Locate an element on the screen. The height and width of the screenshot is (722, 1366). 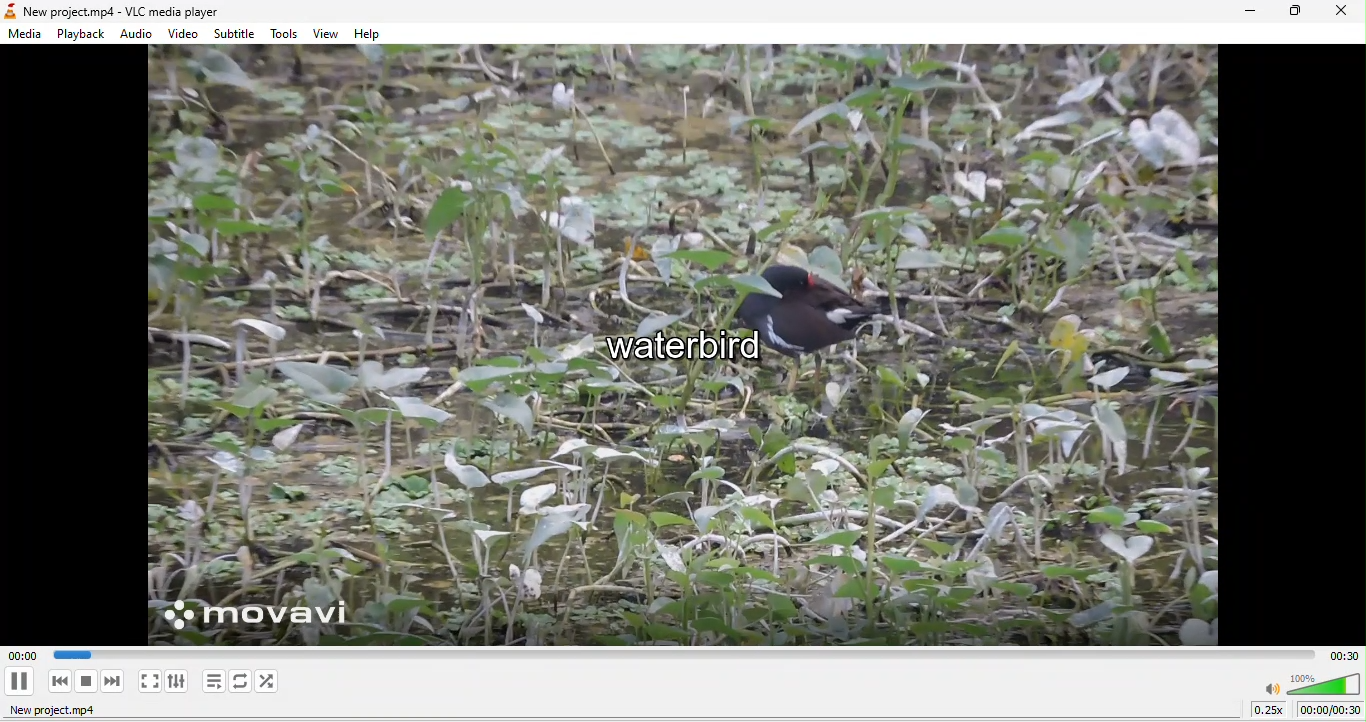
subtitle is located at coordinates (237, 32).